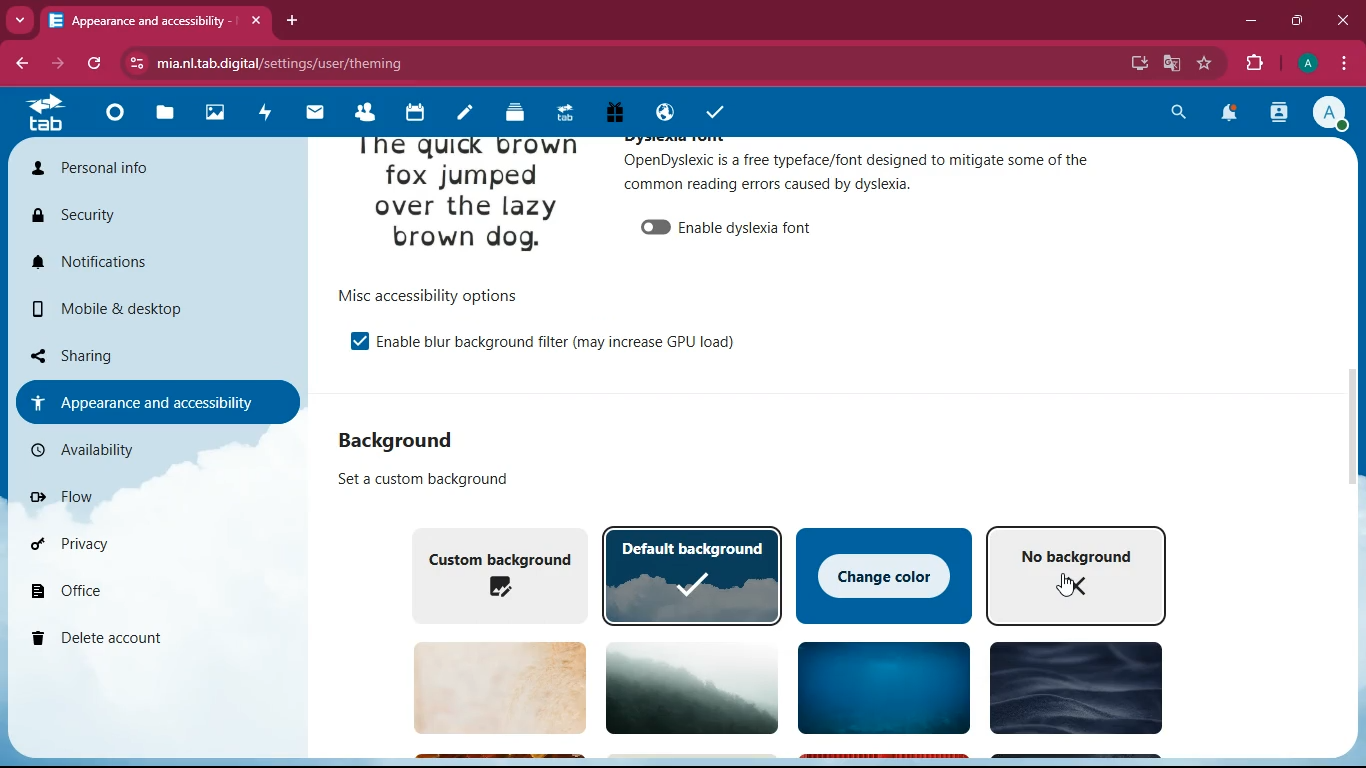  Describe the element at coordinates (1209, 63) in the screenshot. I see `favourite` at that location.